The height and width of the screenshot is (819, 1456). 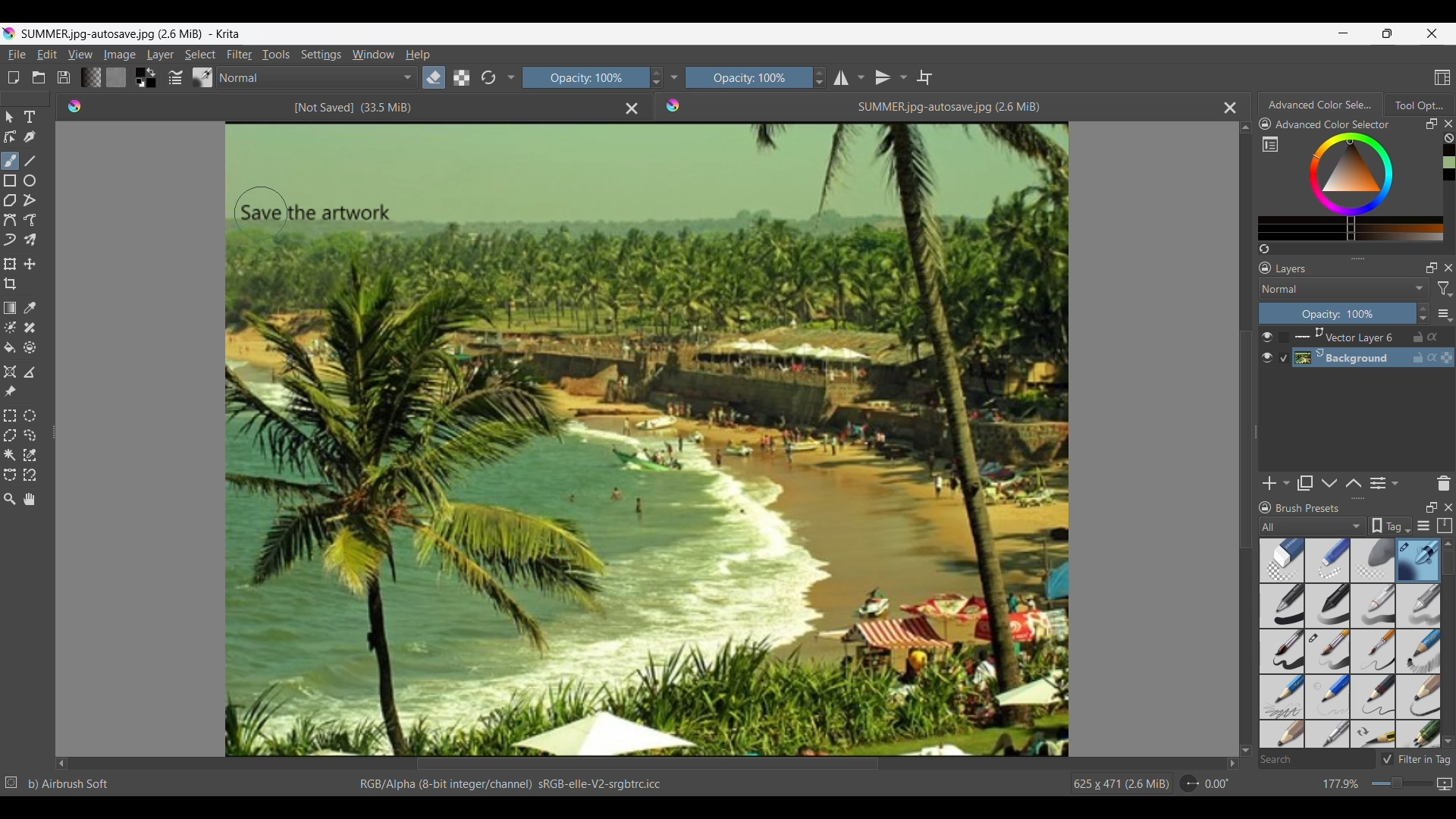 I want to click on 0.00, so click(x=1217, y=784).